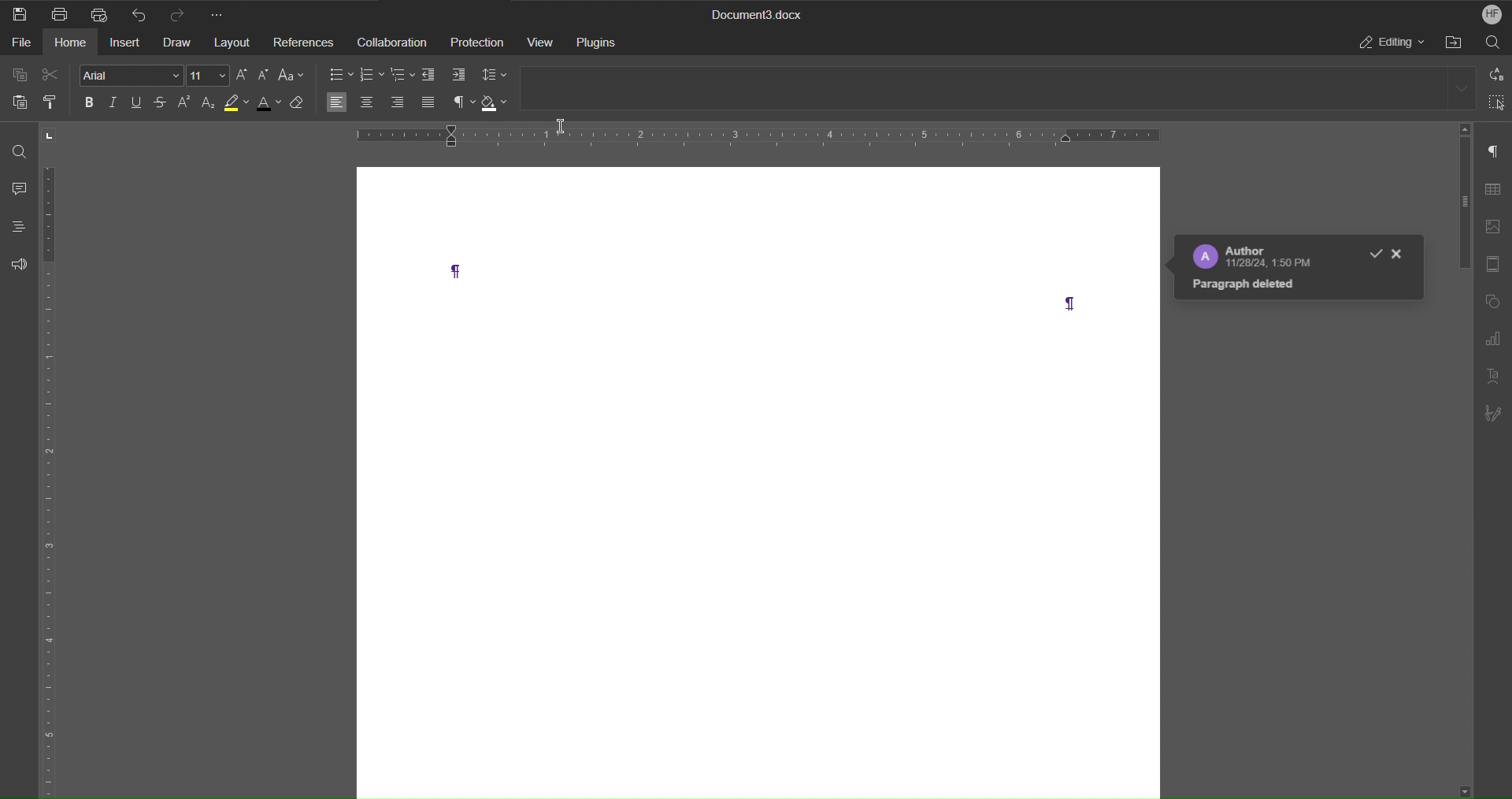 The width and height of the screenshot is (1512, 799). Describe the element at coordinates (128, 46) in the screenshot. I see `Insert` at that location.